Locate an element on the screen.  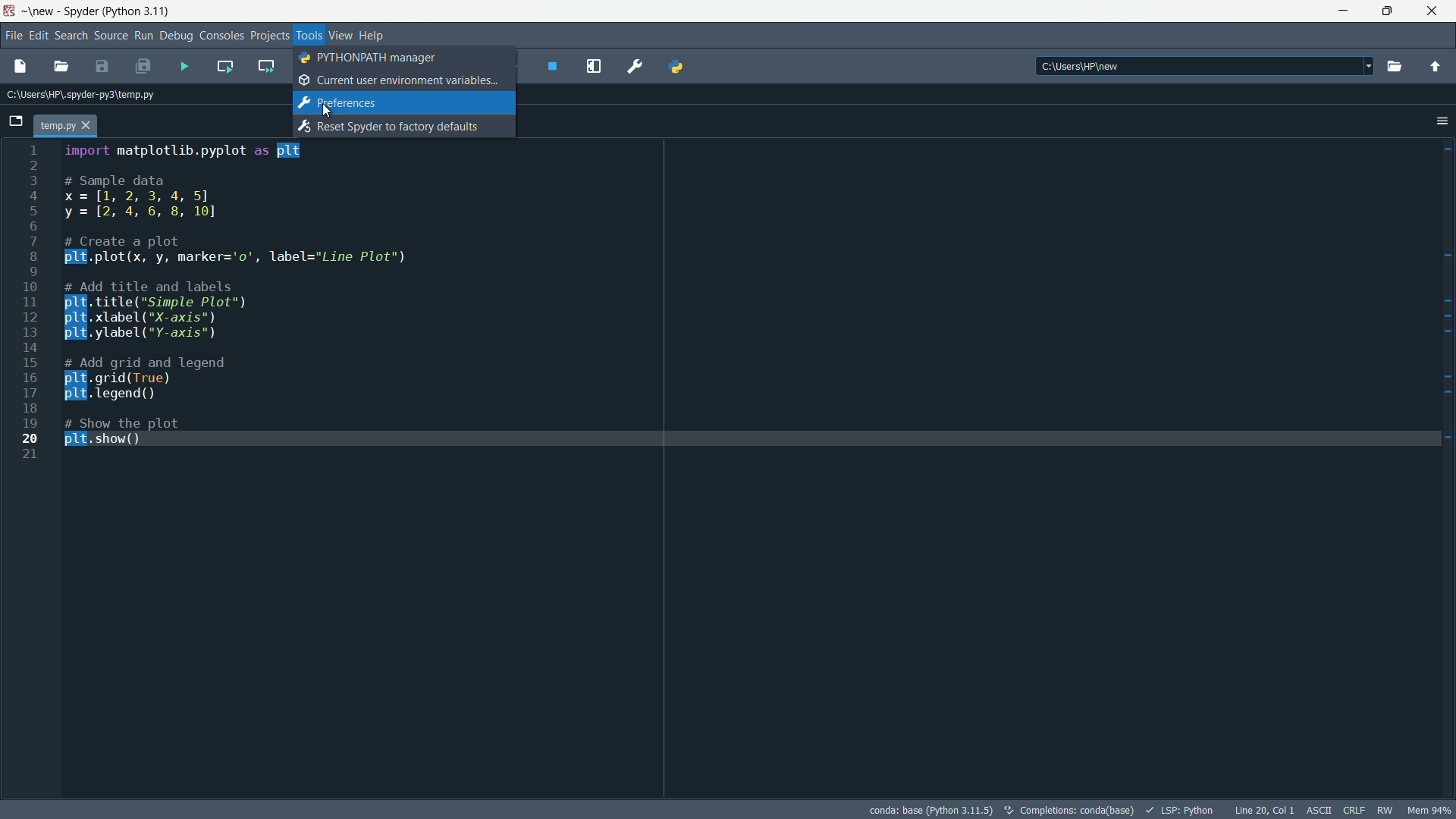
current user environmental variables is located at coordinates (400, 80).